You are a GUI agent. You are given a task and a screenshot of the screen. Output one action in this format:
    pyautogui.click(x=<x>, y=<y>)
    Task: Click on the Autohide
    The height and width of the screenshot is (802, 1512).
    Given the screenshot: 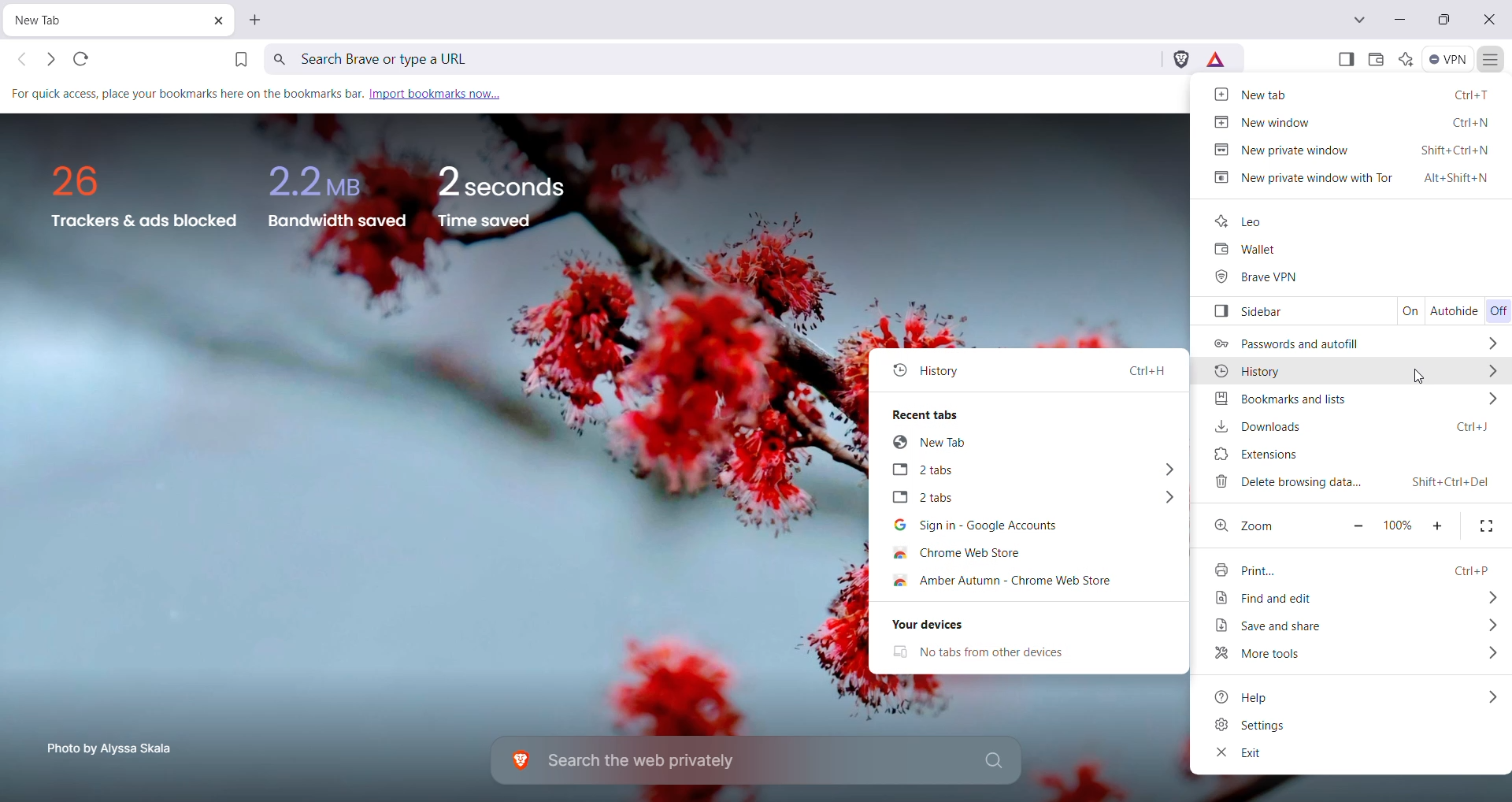 What is the action you would take?
    pyautogui.click(x=1455, y=312)
    